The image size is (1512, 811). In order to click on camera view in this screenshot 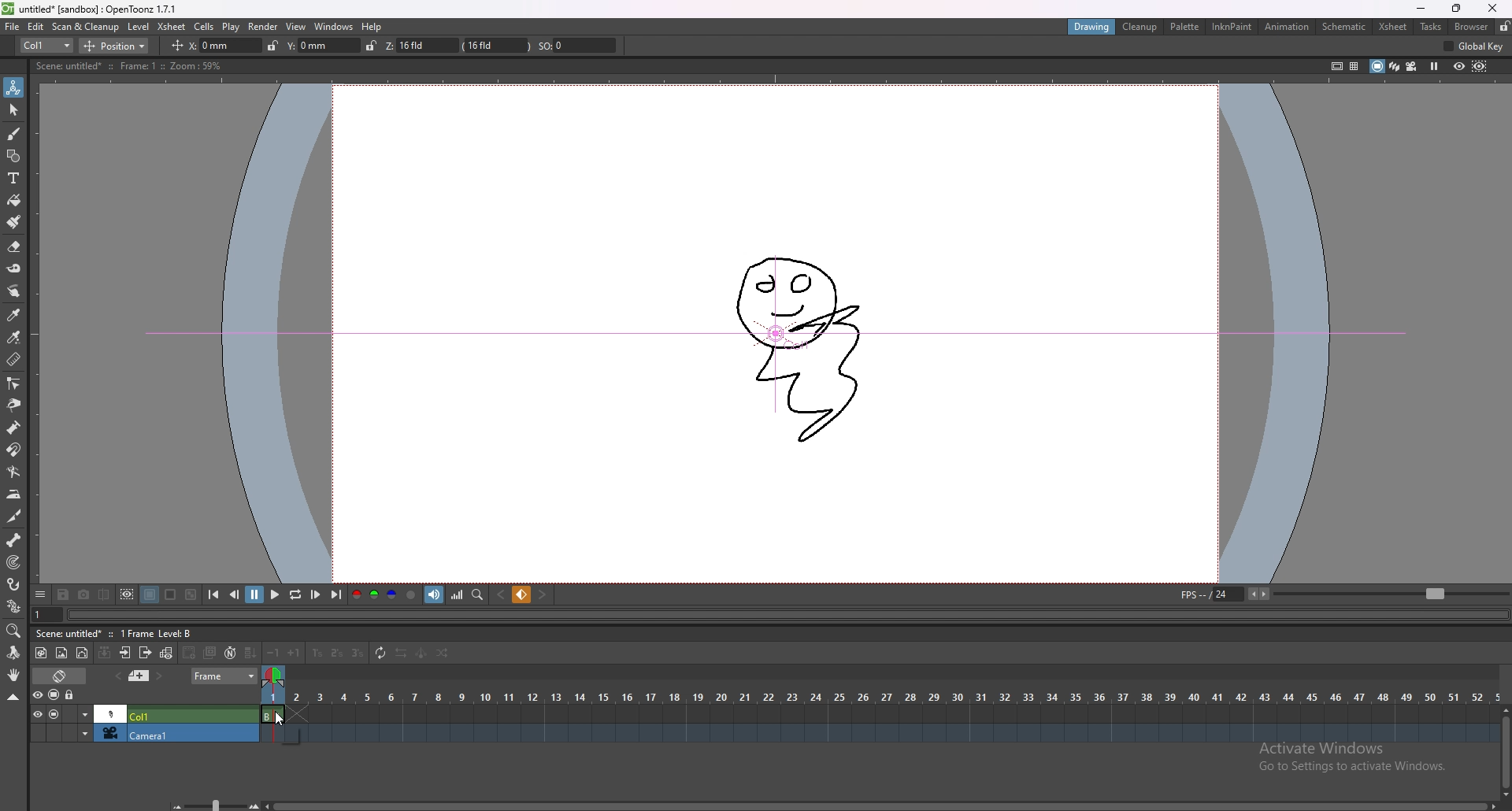, I will do `click(1411, 65)`.